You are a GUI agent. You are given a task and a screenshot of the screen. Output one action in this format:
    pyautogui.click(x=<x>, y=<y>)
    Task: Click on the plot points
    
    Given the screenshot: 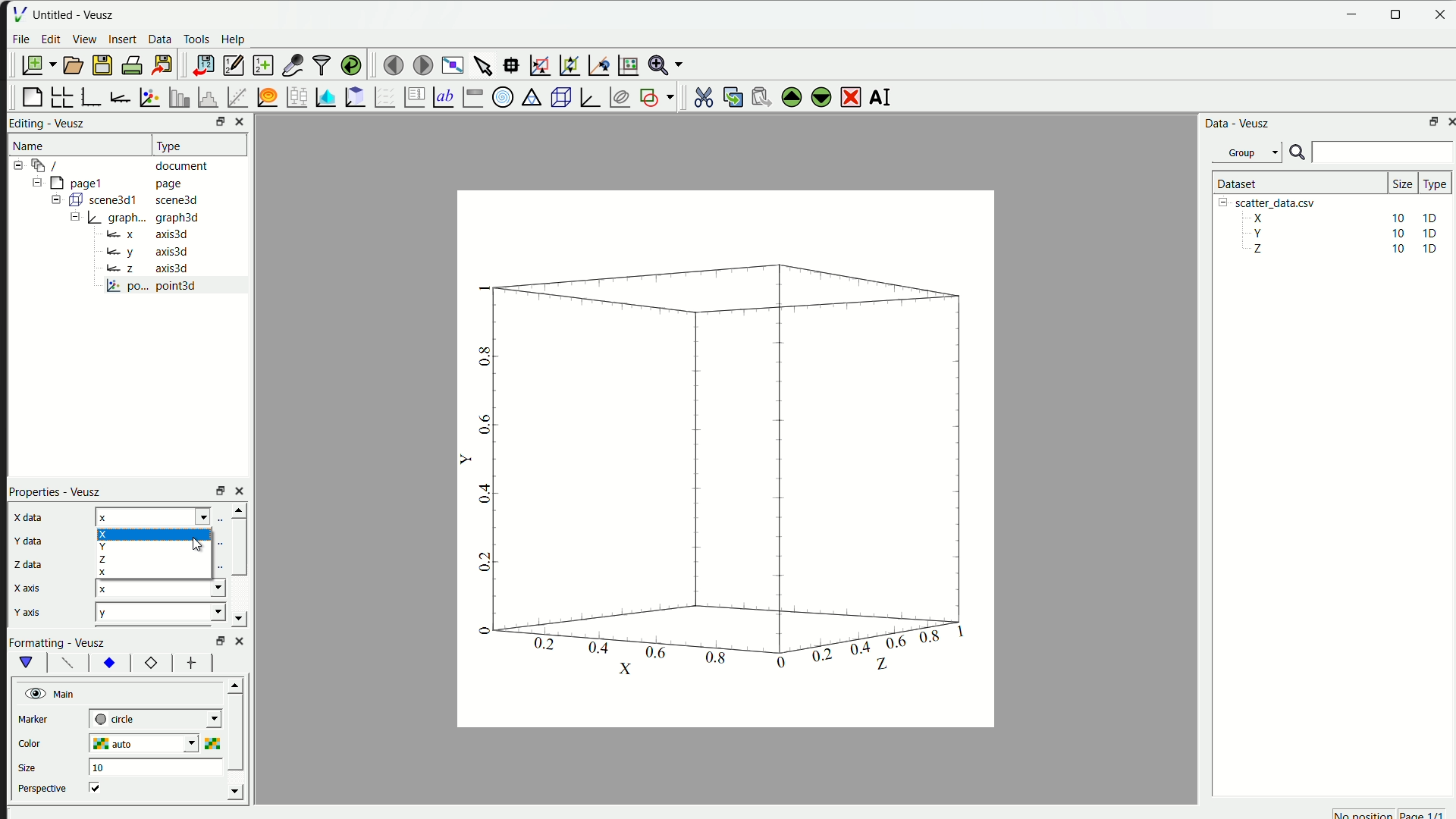 What is the action you would take?
    pyautogui.click(x=147, y=98)
    